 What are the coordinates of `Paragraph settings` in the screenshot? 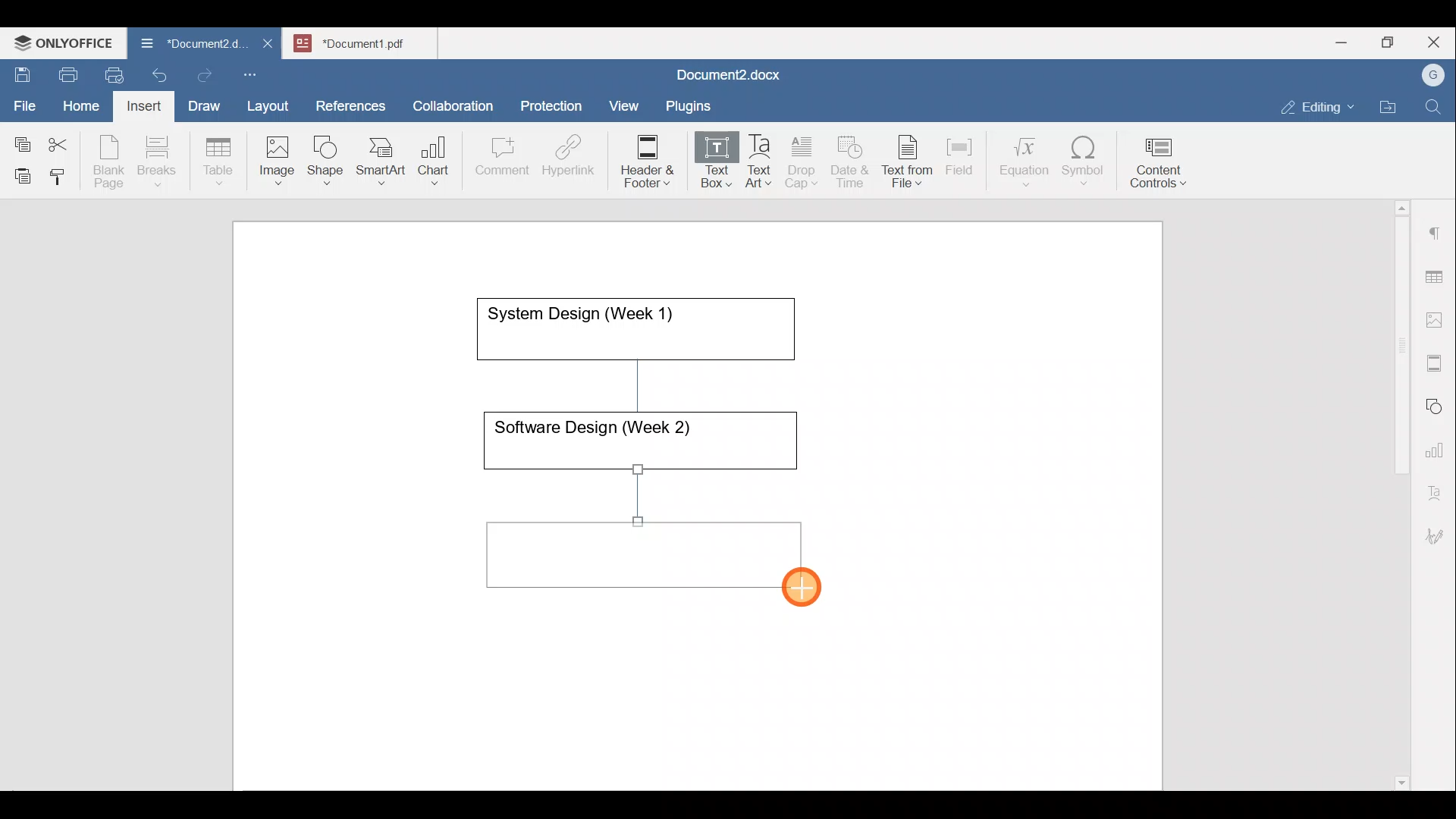 It's located at (1436, 227).